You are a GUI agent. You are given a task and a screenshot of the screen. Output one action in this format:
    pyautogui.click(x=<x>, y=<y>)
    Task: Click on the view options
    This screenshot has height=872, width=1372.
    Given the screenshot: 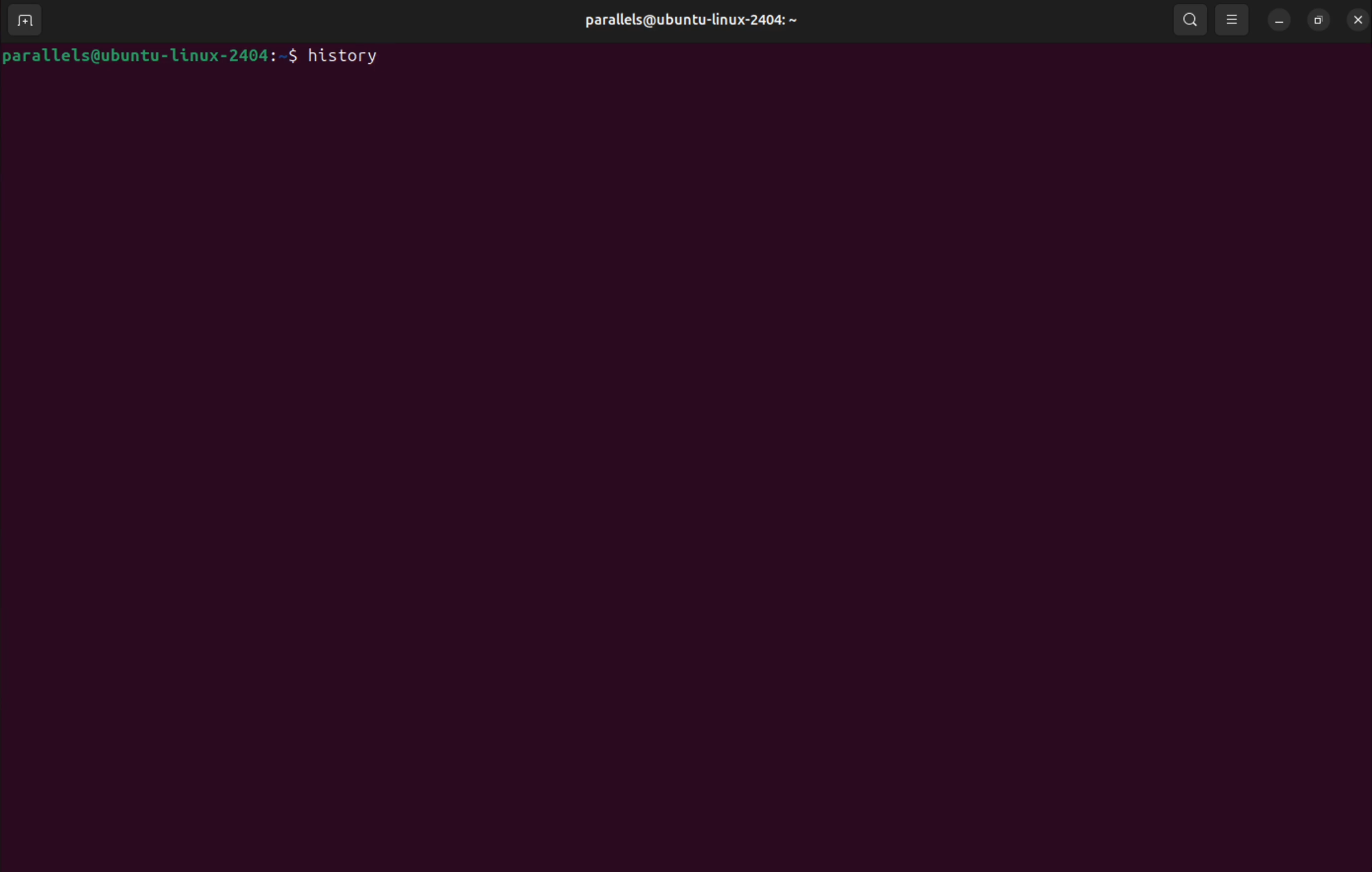 What is the action you would take?
    pyautogui.click(x=1234, y=19)
    